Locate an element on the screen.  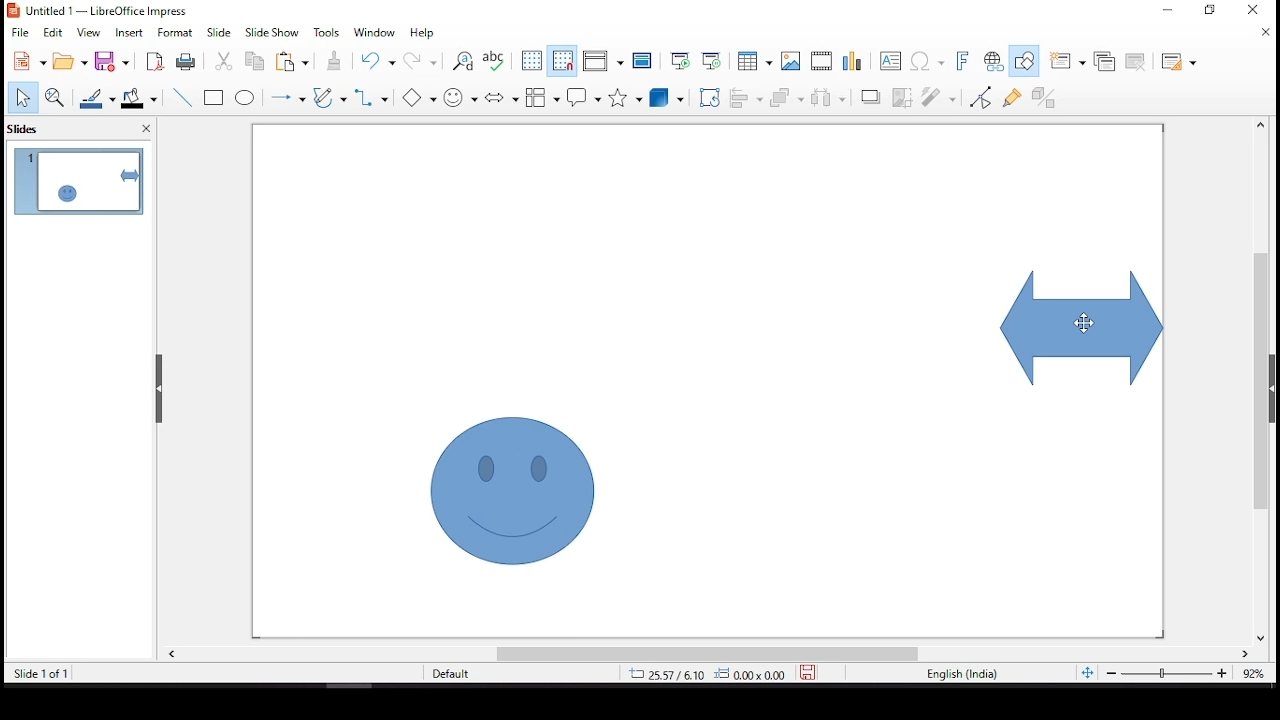
image is located at coordinates (791, 61).